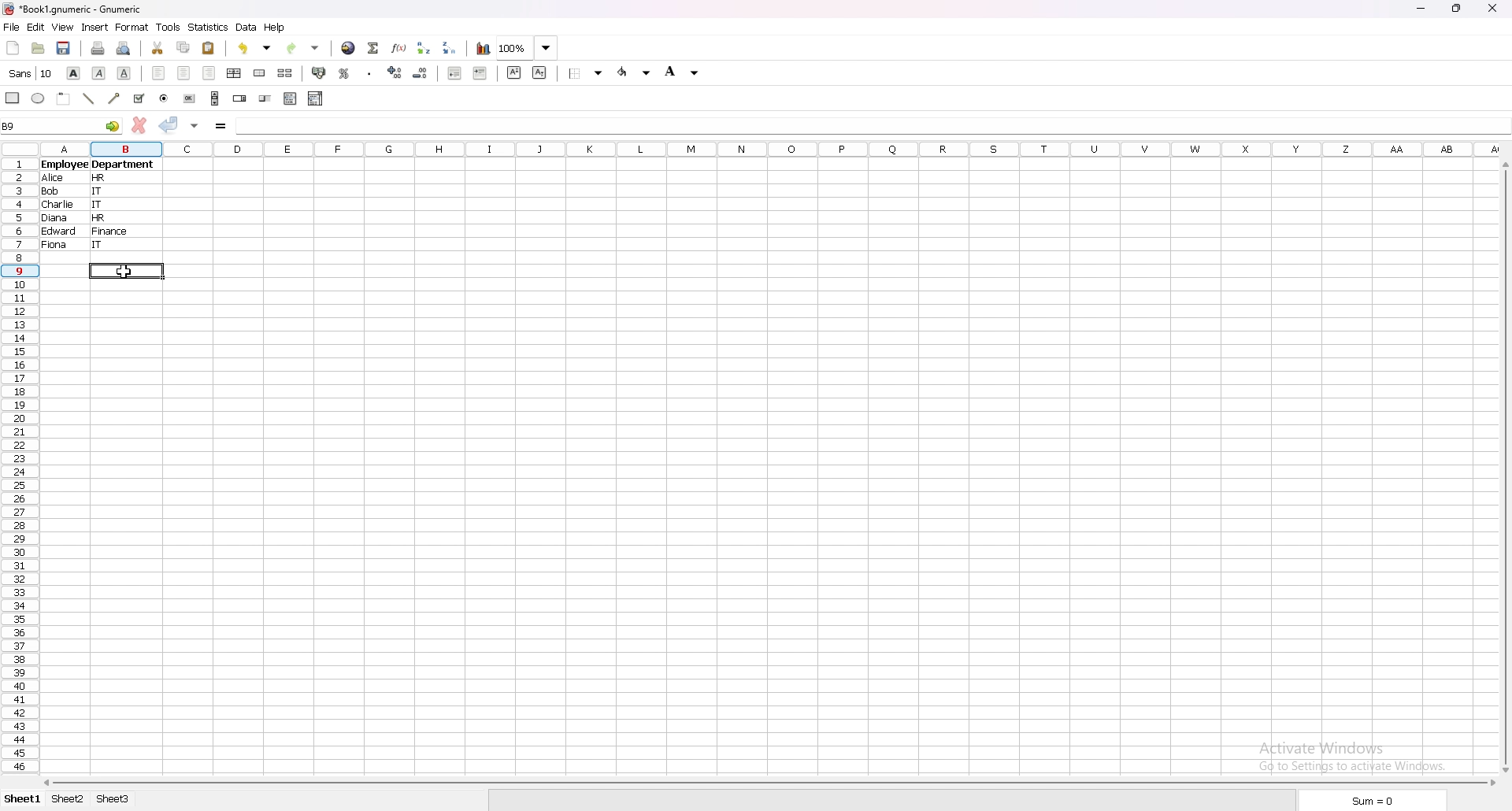 This screenshot has height=811, width=1512. I want to click on it, so click(99, 193).